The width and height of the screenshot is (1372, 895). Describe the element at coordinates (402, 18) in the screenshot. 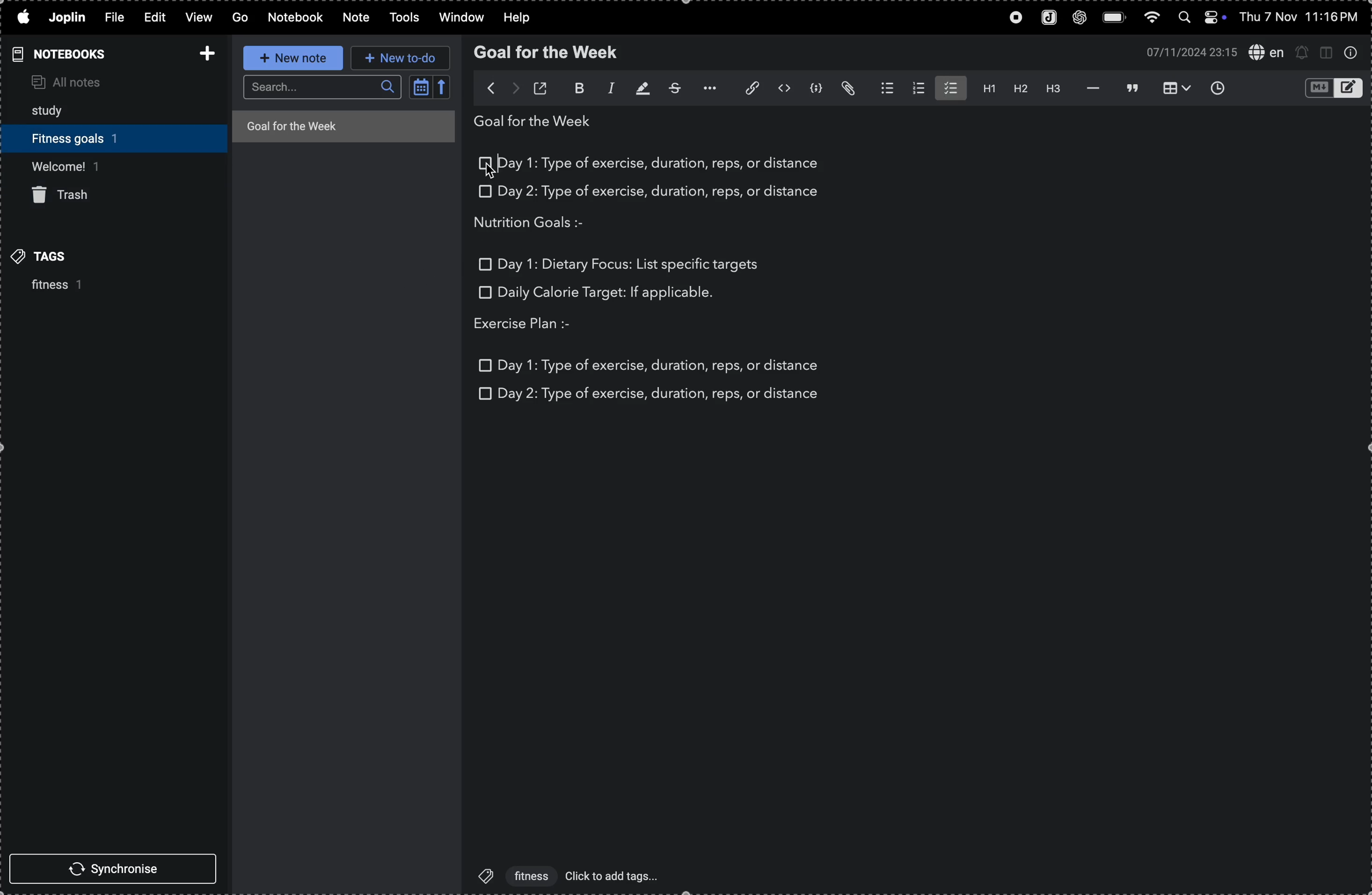

I see `tools` at that location.